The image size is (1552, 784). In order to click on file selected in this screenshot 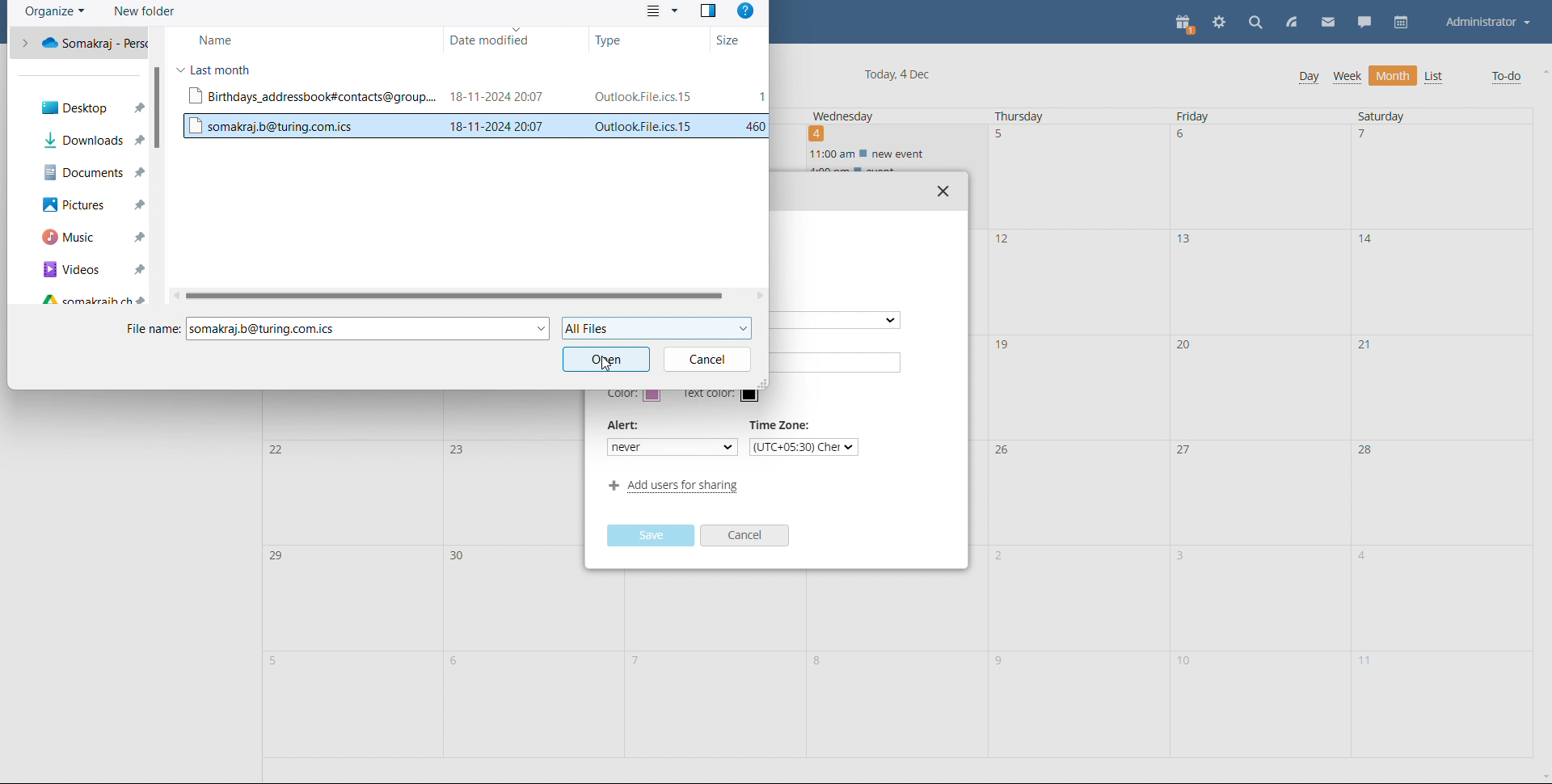, I will do `click(474, 125)`.